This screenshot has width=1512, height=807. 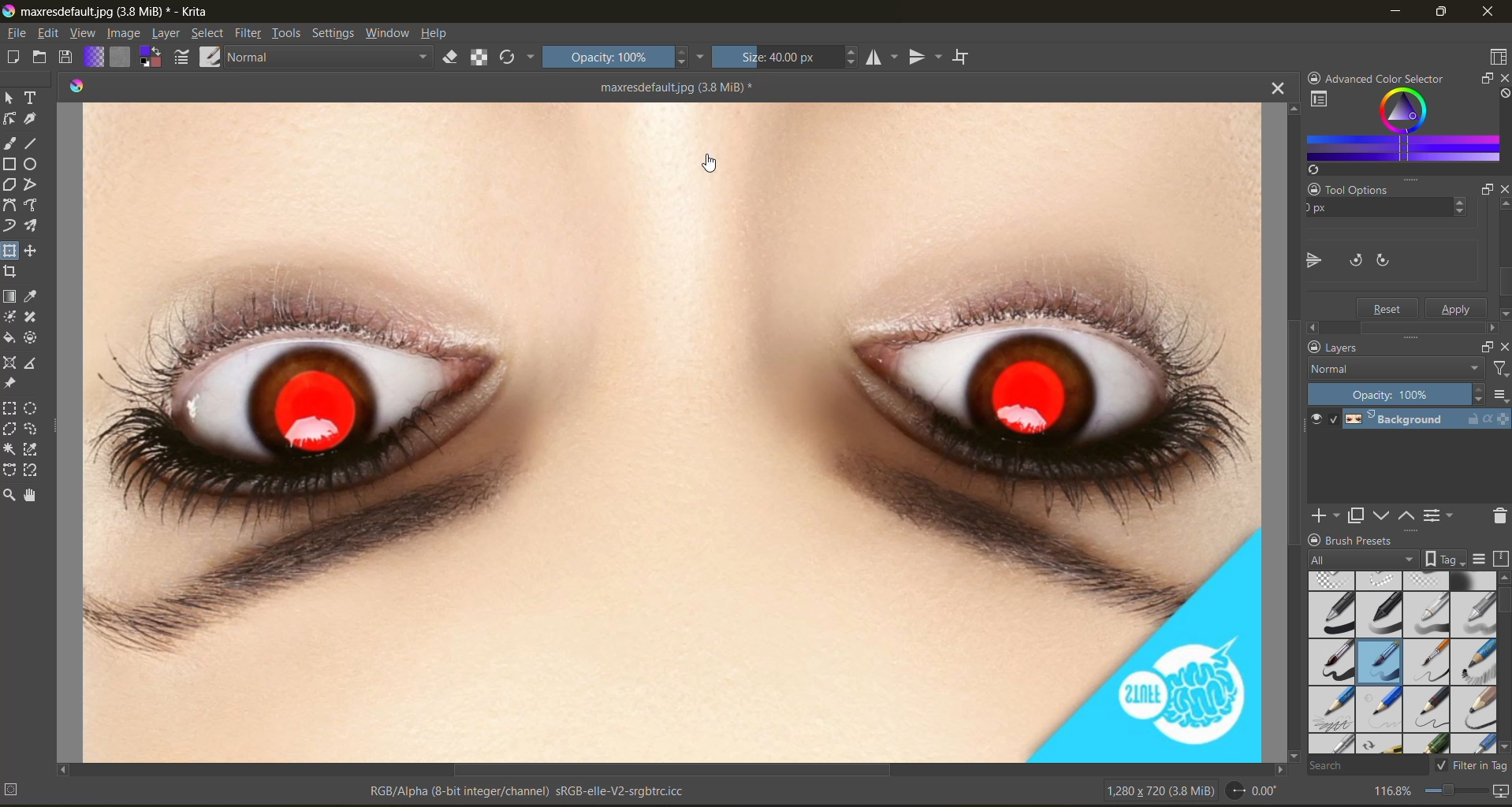 I want to click on preview, so click(x=1316, y=420).